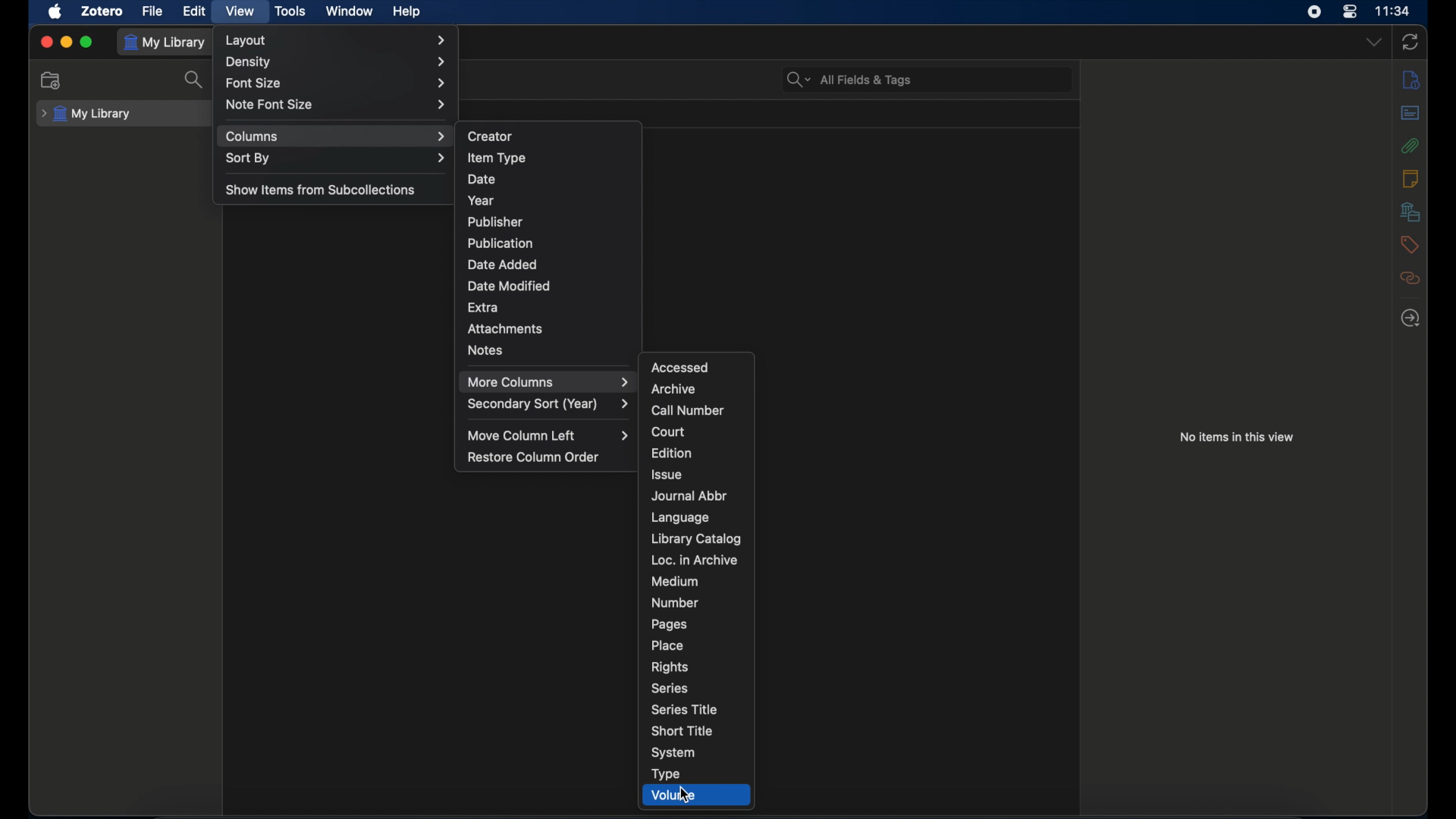 Image resolution: width=1456 pixels, height=819 pixels. Describe the element at coordinates (675, 603) in the screenshot. I see `number` at that location.